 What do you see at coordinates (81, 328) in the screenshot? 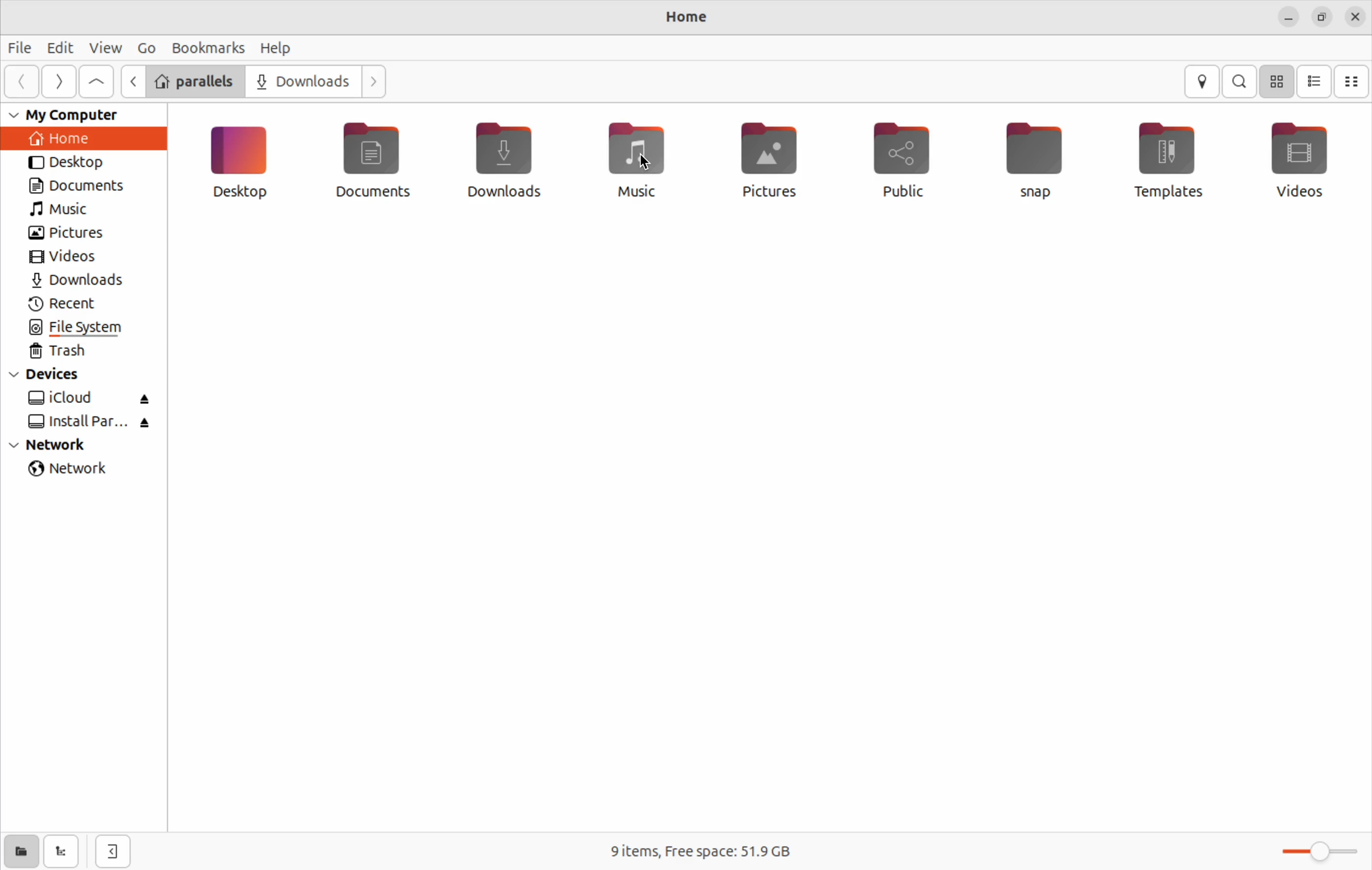
I see `file system` at bounding box center [81, 328].